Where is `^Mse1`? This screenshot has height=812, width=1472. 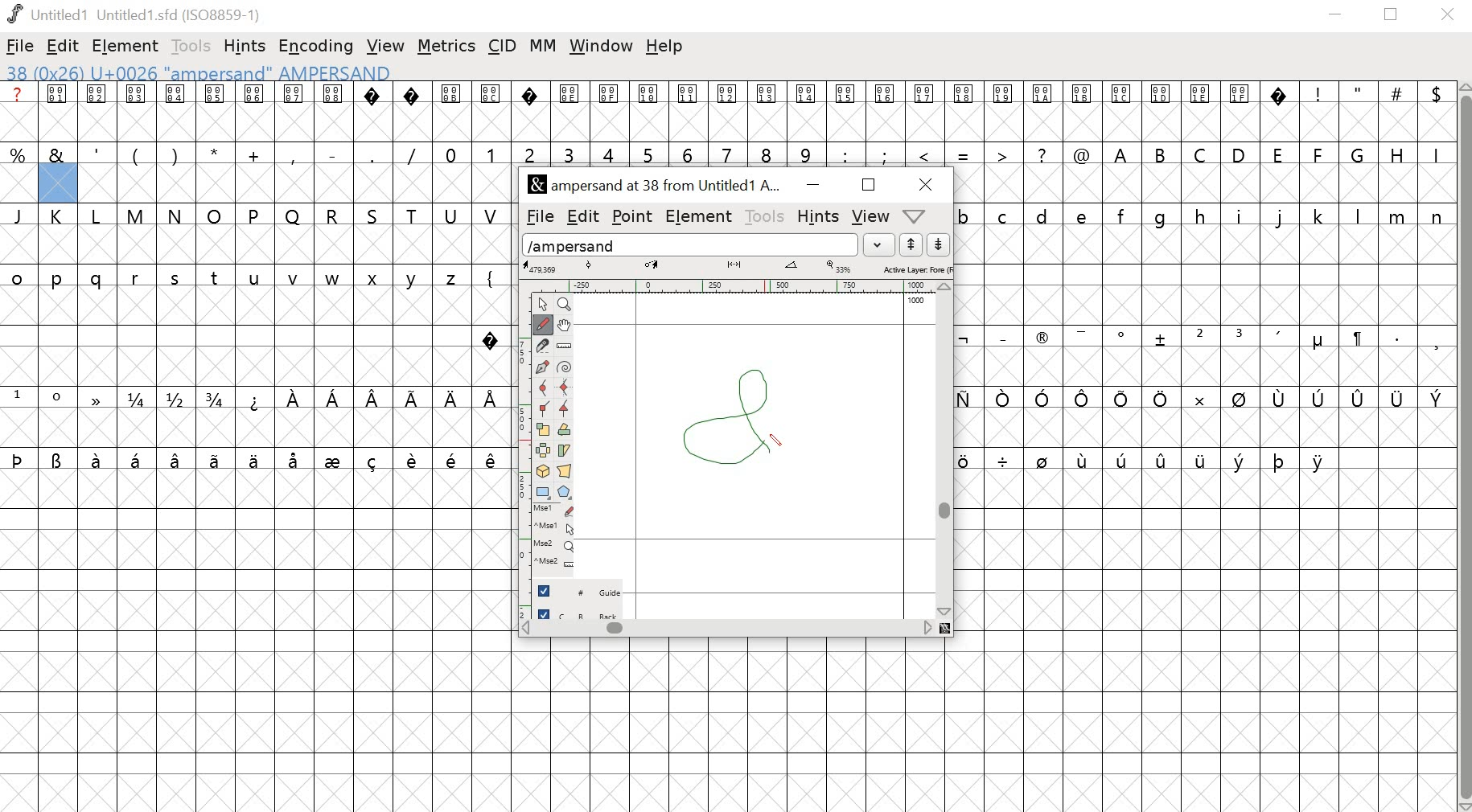
^Mse1 is located at coordinates (556, 527).